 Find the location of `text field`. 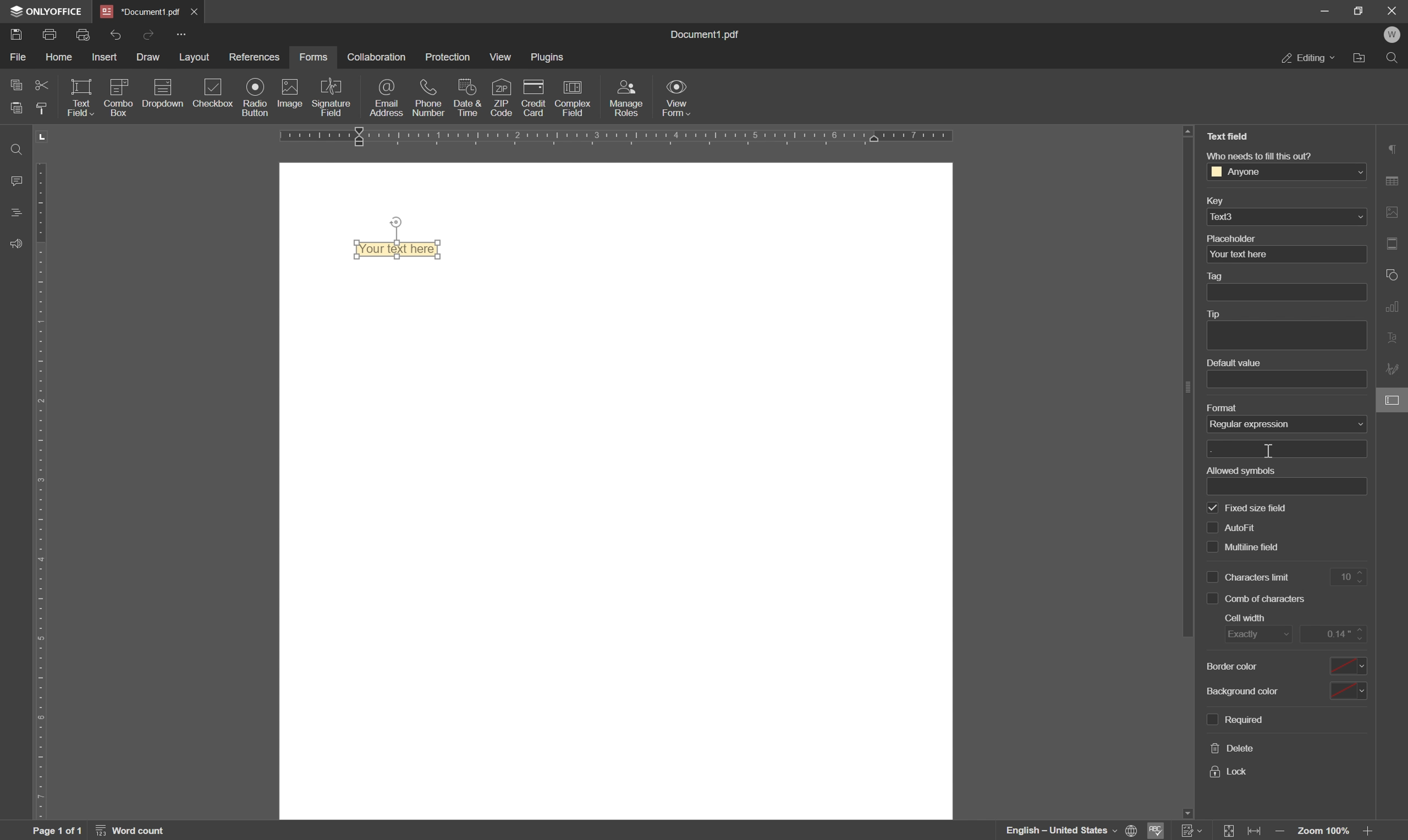

text field is located at coordinates (80, 97).